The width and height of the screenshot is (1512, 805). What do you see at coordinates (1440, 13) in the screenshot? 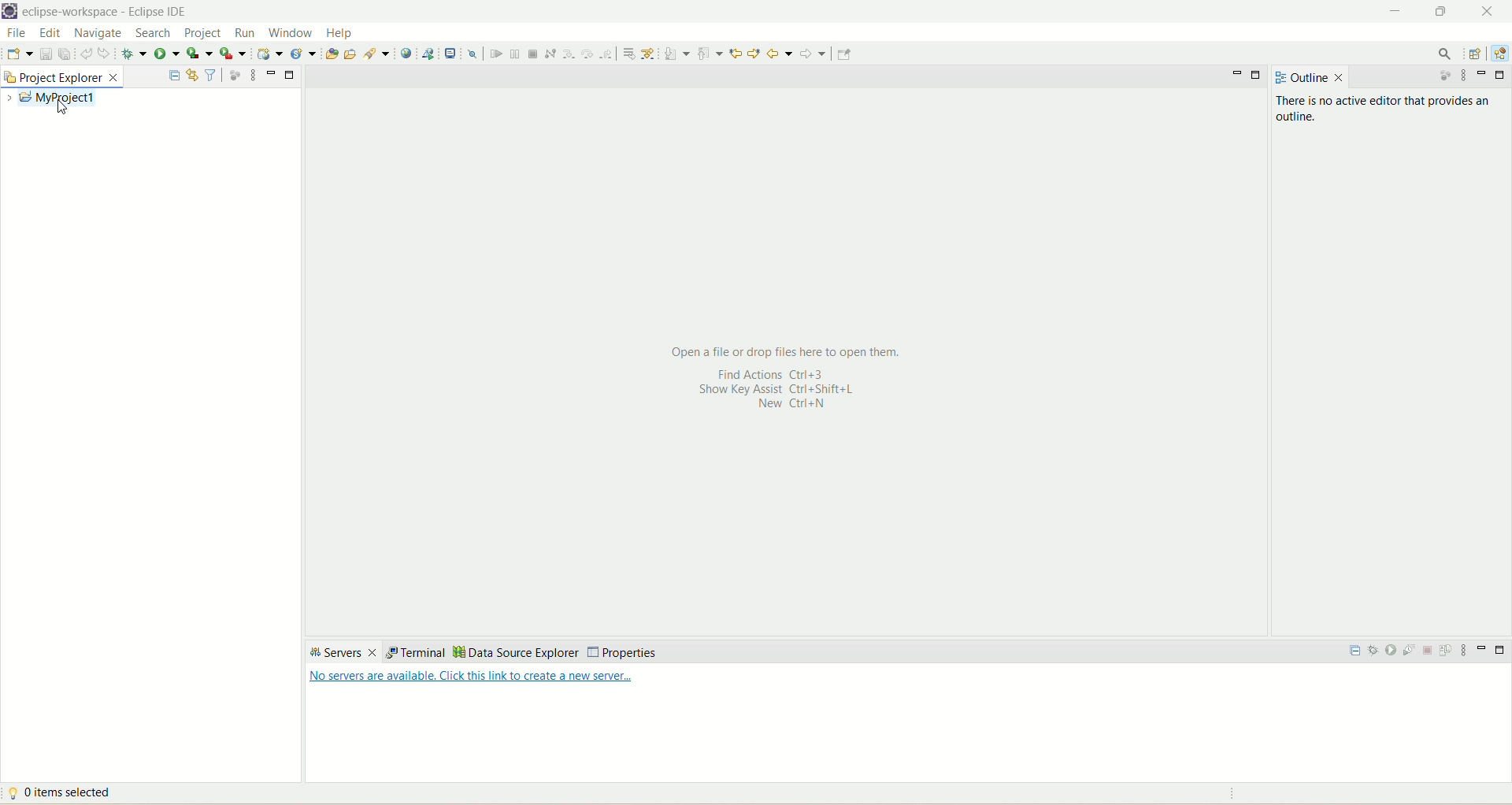
I see `maximize` at bounding box center [1440, 13].